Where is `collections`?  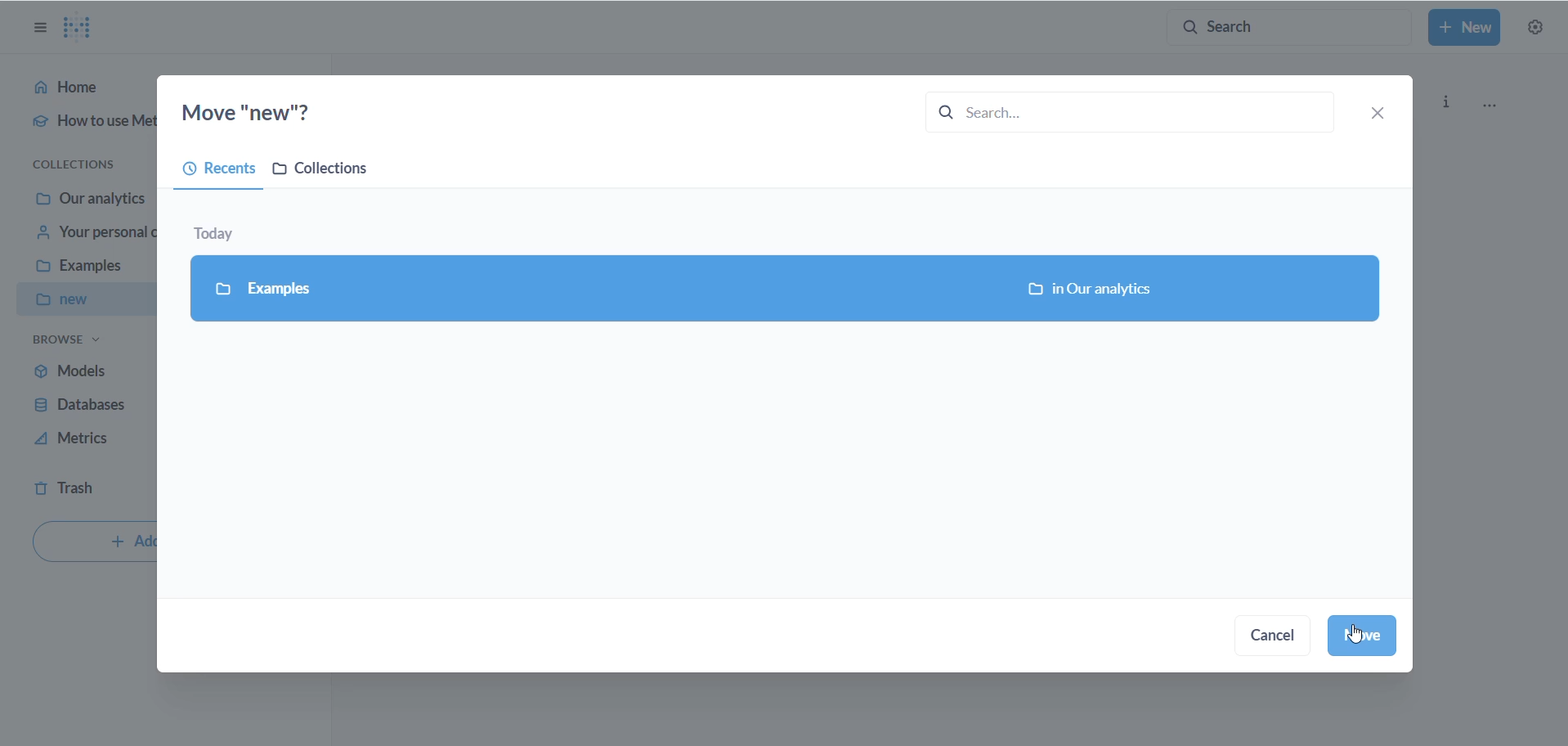 collections is located at coordinates (83, 163).